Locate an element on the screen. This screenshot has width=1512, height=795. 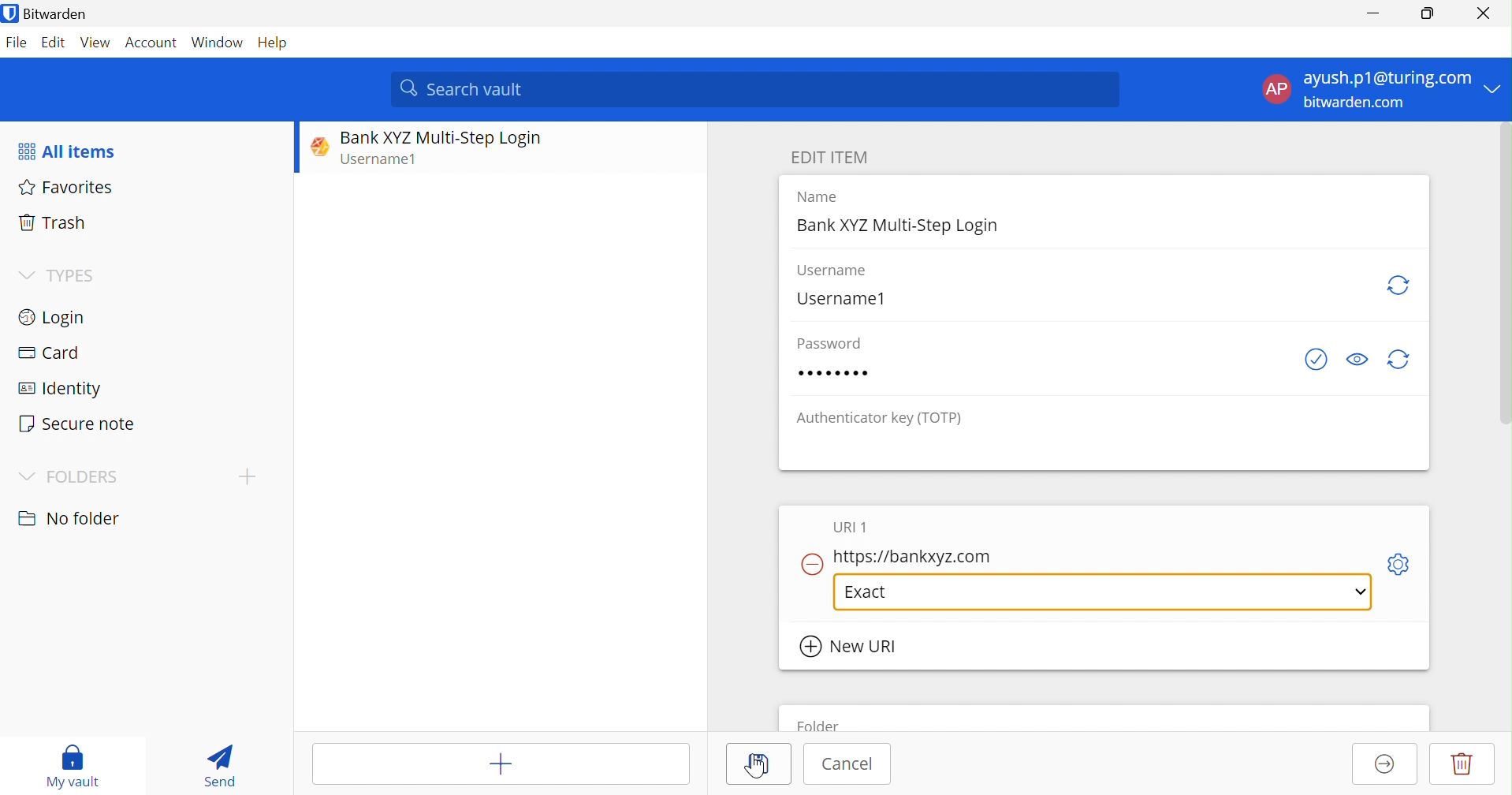
bitwarden.com is located at coordinates (1356, 103).